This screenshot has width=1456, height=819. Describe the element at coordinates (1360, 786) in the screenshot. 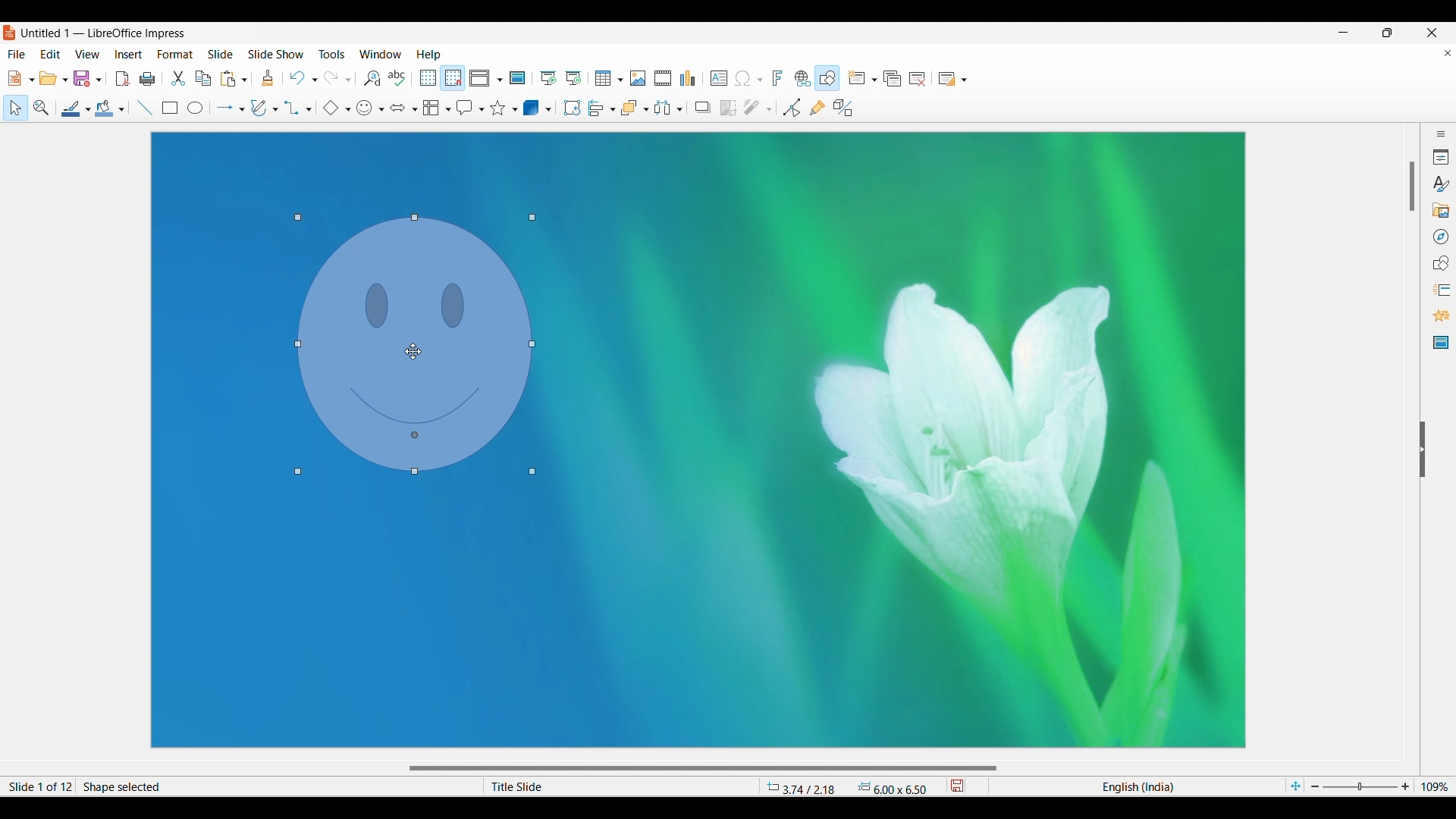

I see `Slider to zoom in/out` at that location.